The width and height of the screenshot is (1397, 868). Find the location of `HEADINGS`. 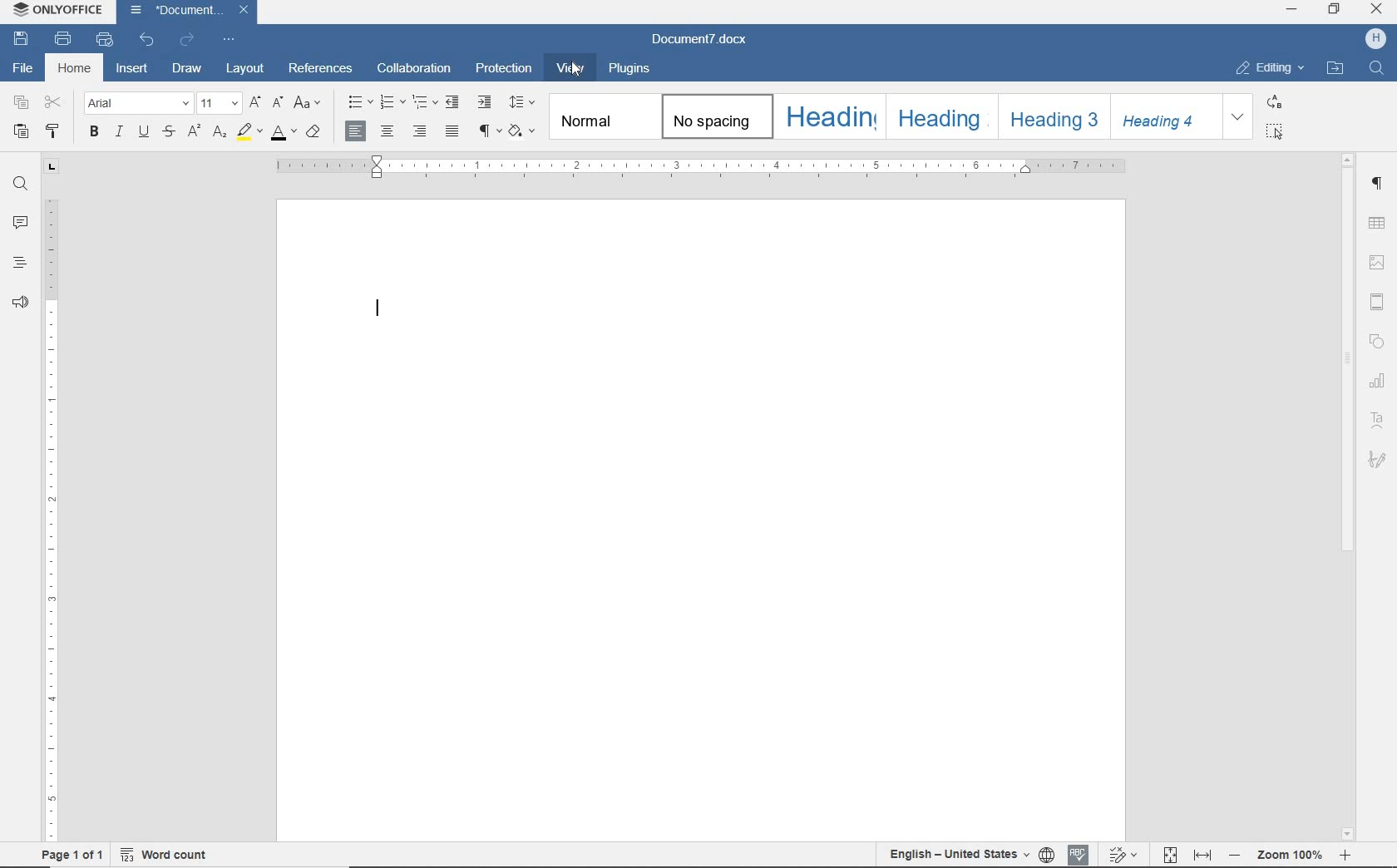

HEADINGS is located at coordinates (19, 263).